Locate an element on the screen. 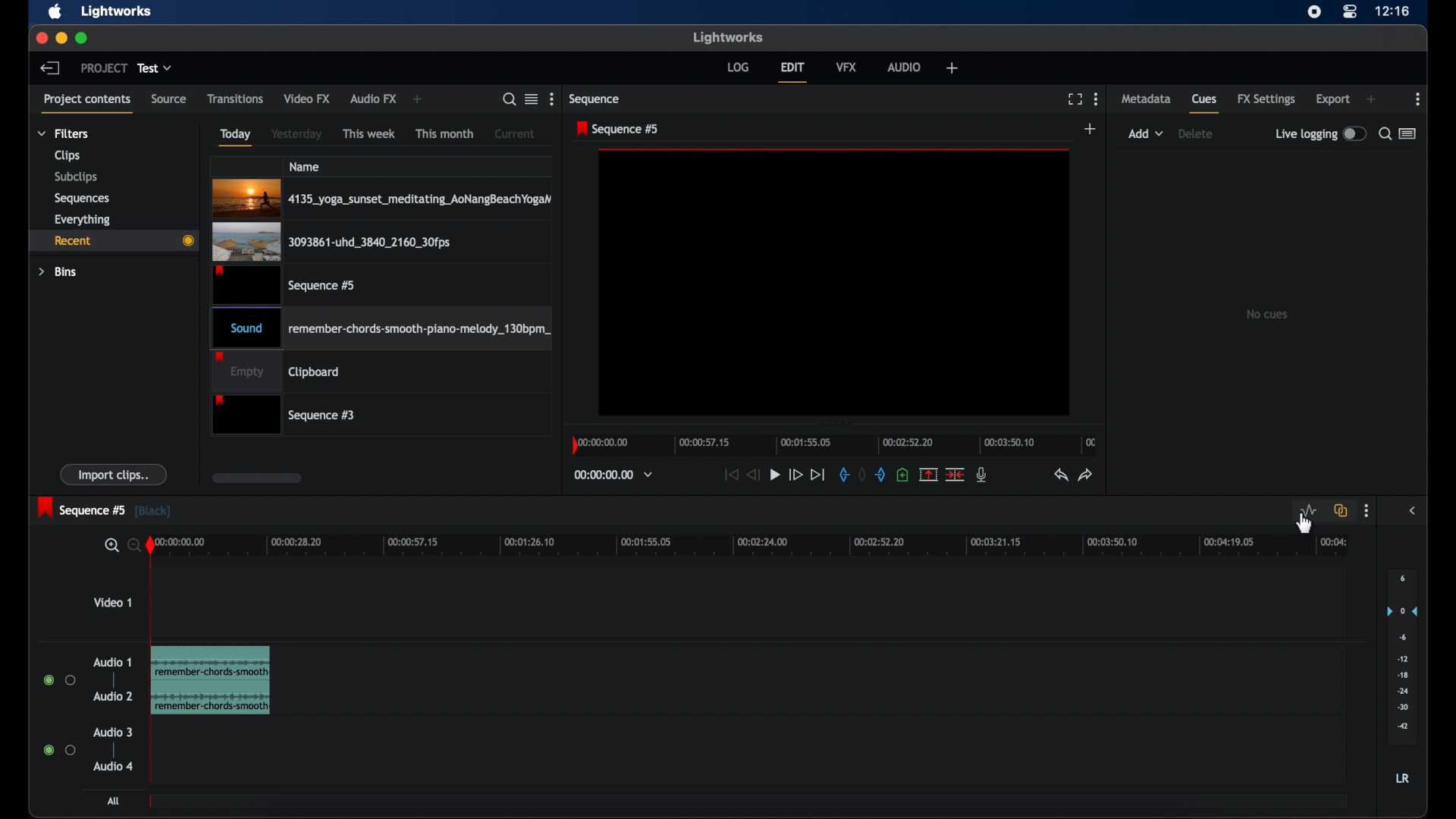  more options is located at coordinates (1419, 99).